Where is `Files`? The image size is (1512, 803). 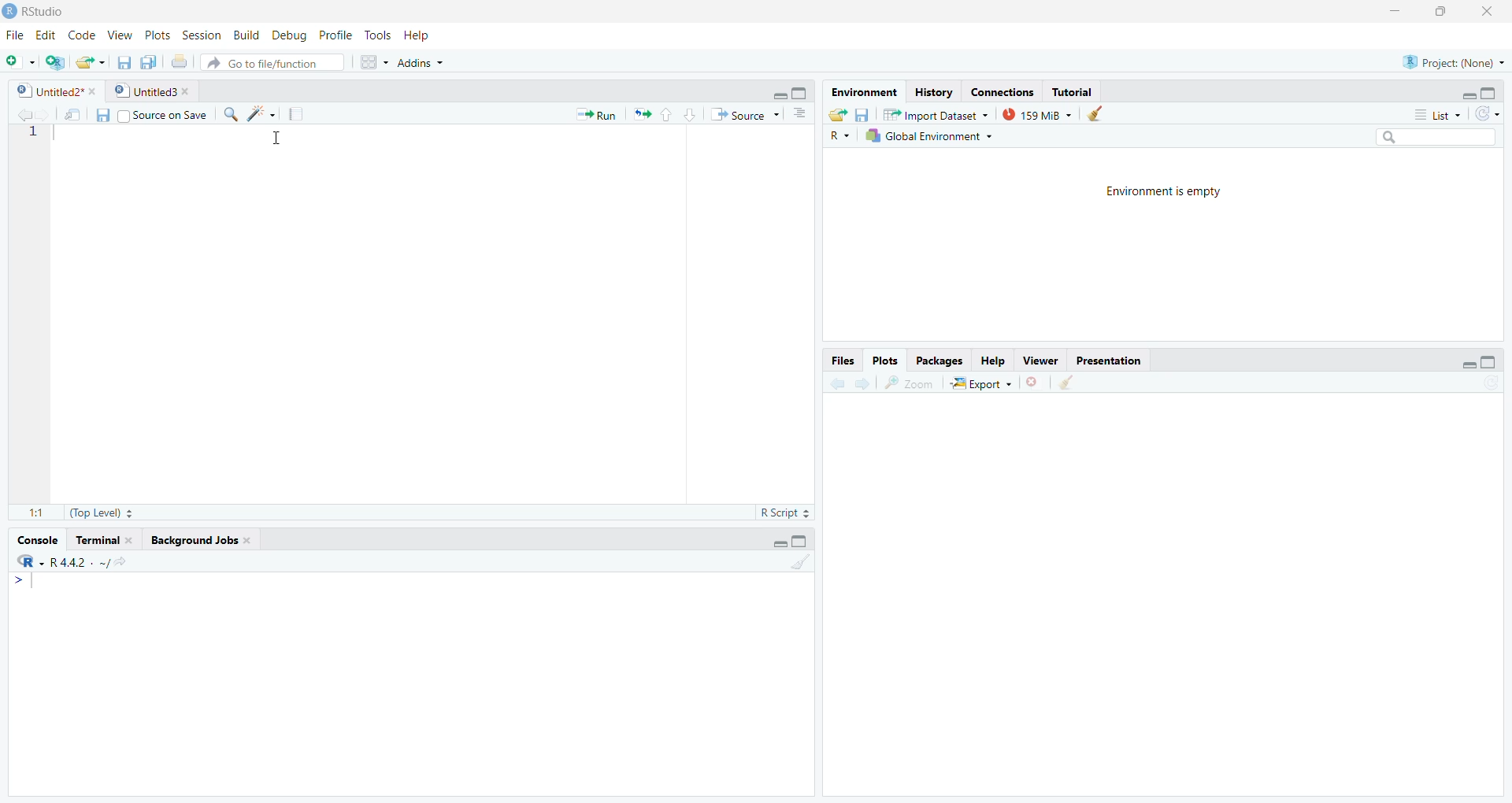
Files is located at coordinates (843, 361).